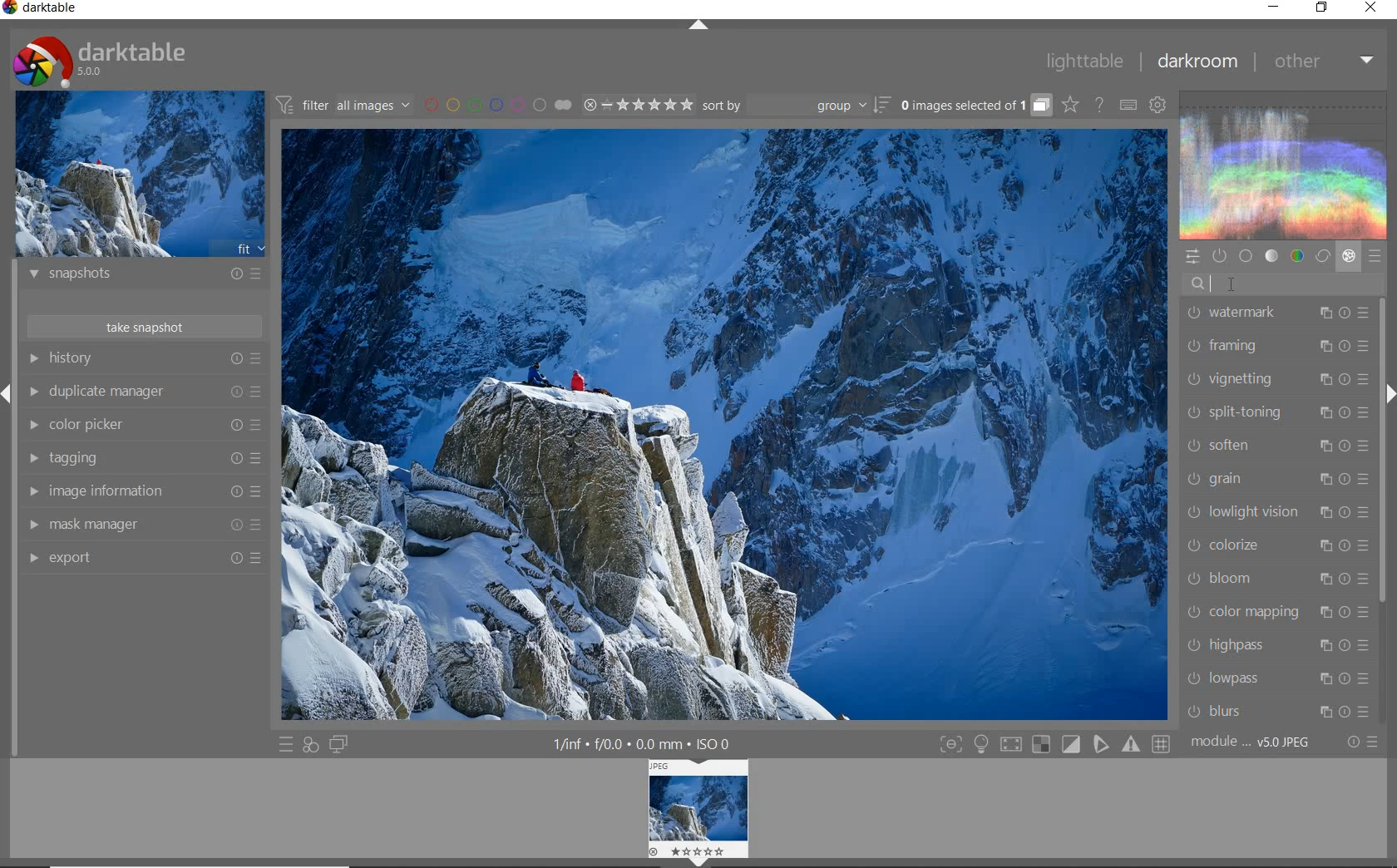 This screenshot has width=1397, height=868. Describe the element at coordinates (975, 105) in the screenshot. I see `grouped images` at that location.